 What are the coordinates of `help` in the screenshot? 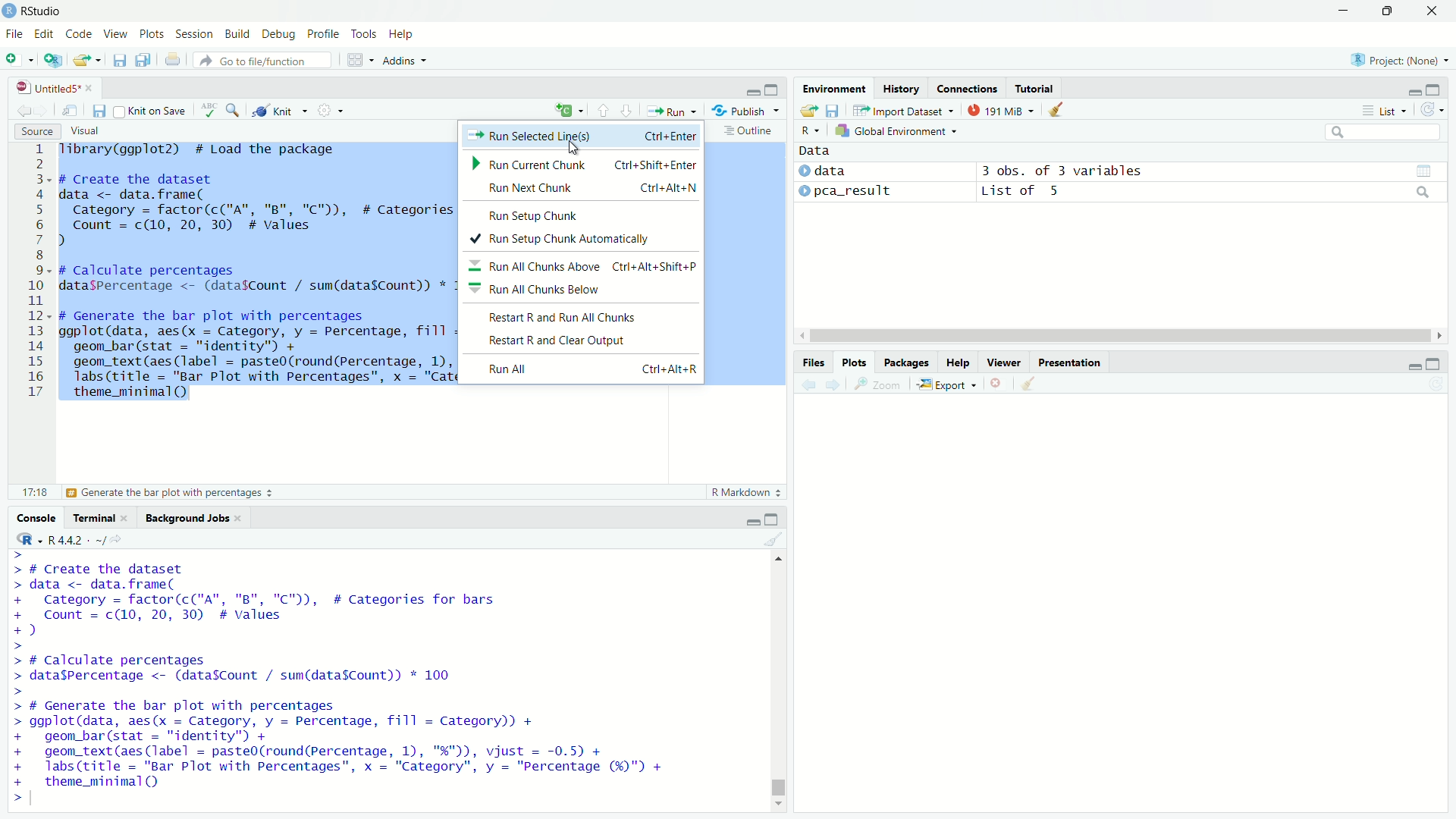 It's located at (958, 362).